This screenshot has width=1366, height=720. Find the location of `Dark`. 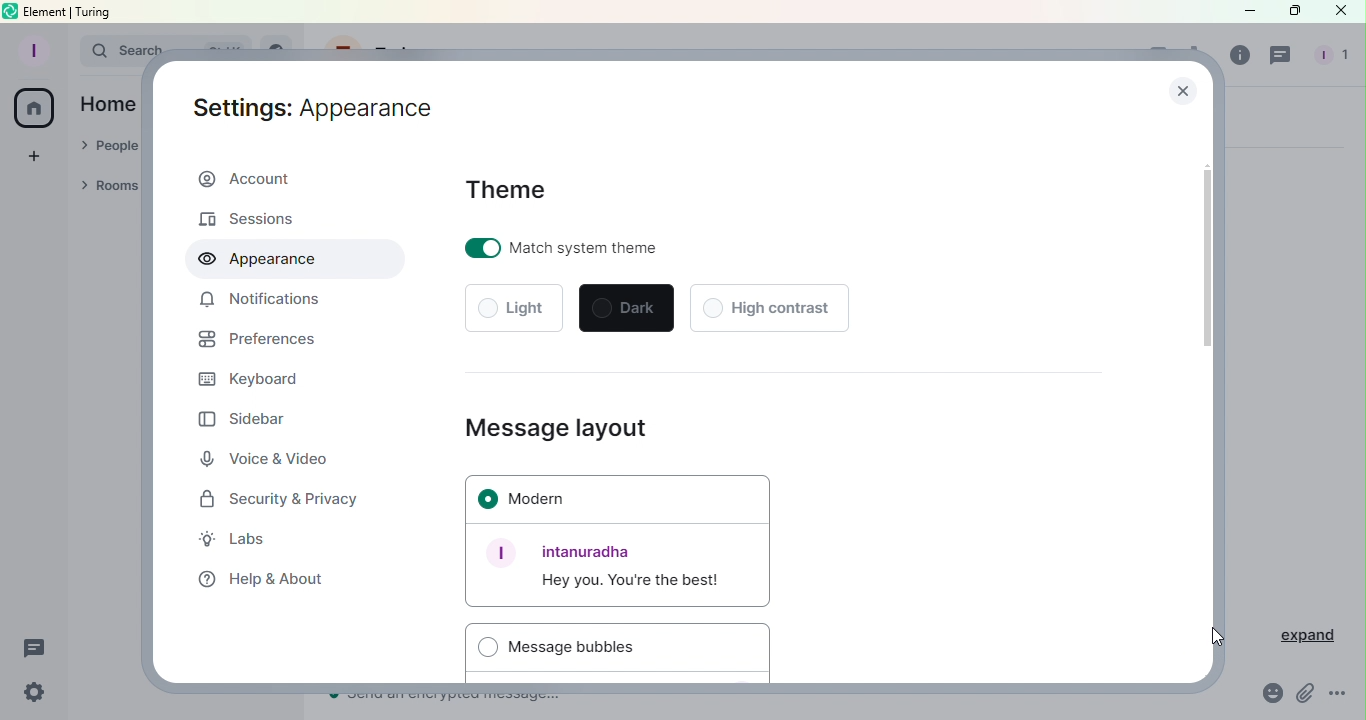

Dark is located at coordinates (627, 308).